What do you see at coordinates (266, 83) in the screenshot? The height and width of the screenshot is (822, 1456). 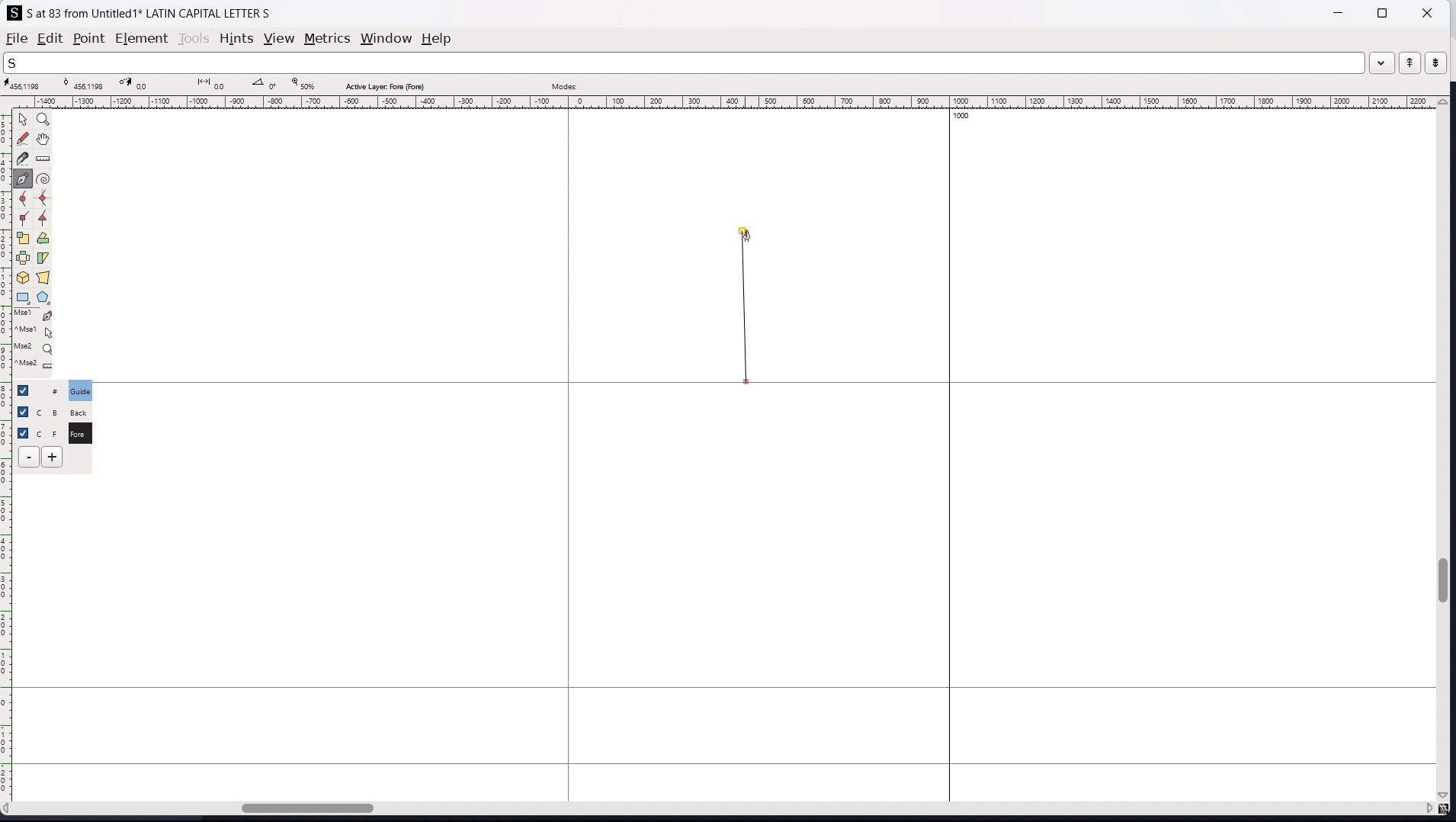 I see `angle between points` at bounding box center [266, 83].